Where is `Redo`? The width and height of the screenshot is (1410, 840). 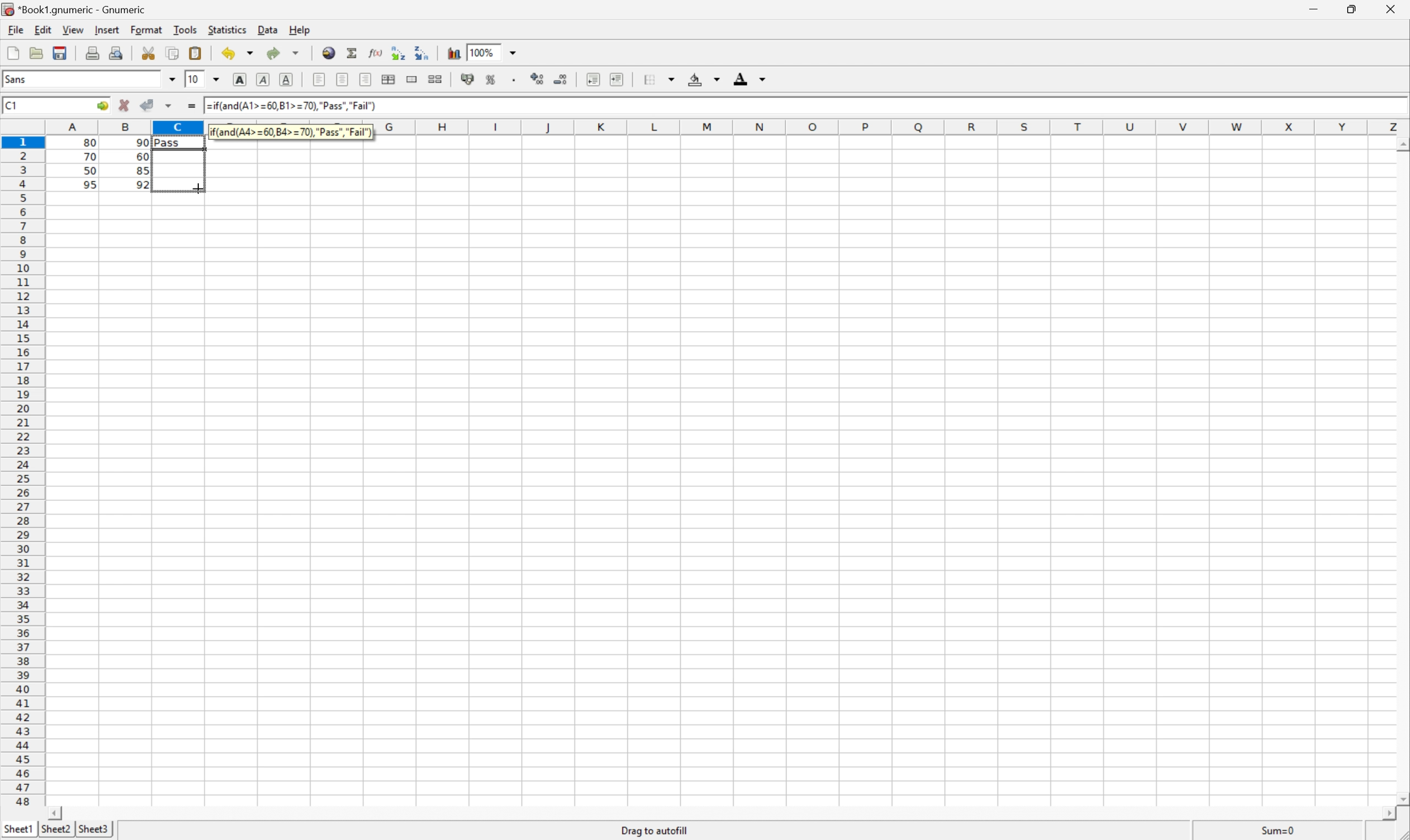
Redo is located at coordinates (271, 51).